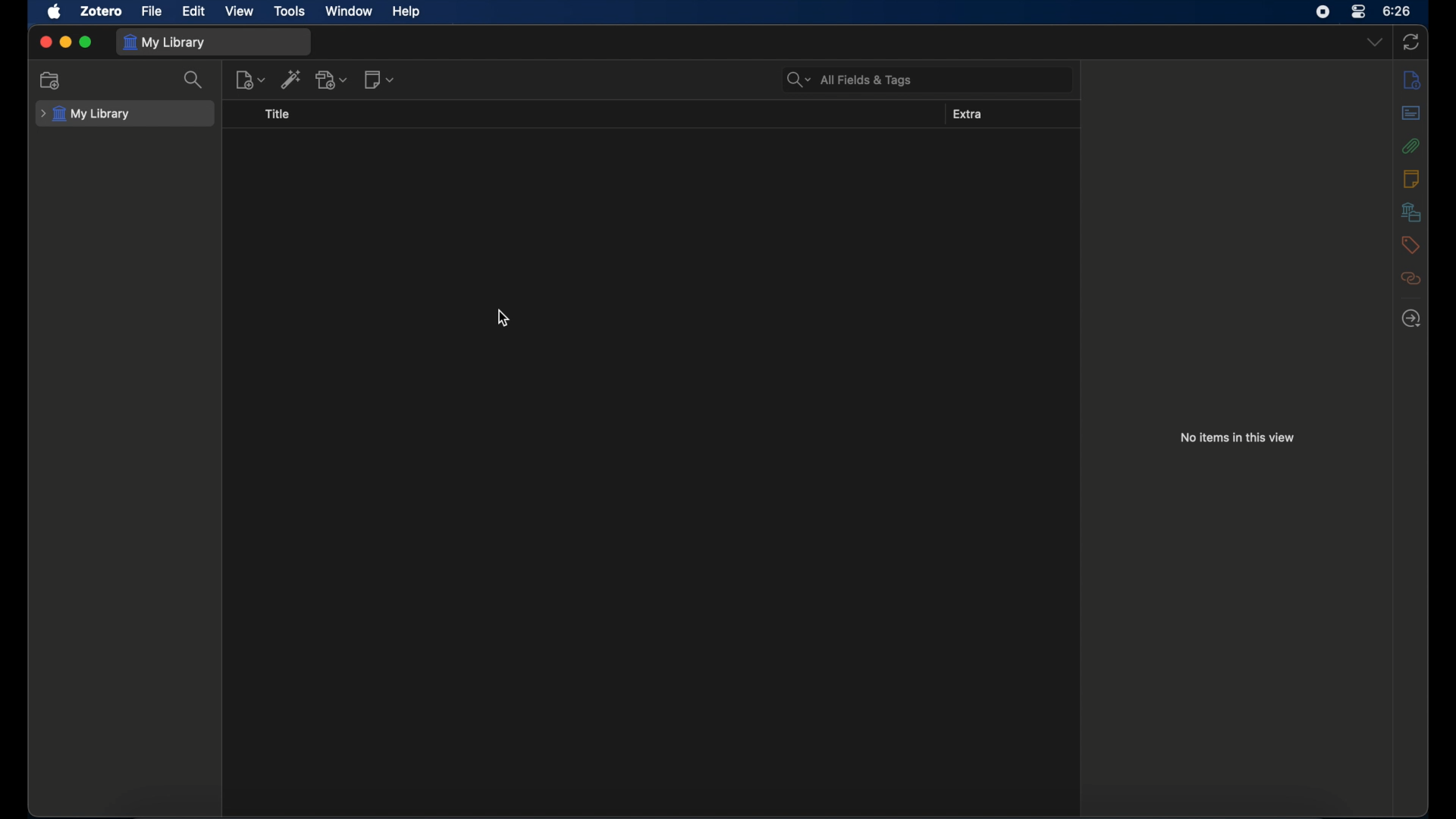 The image size is (1456, 819). What do you see at coordinates (1238, 438) in the screenshot?
I see `no items in this view` at bounding box center [1238, 438].